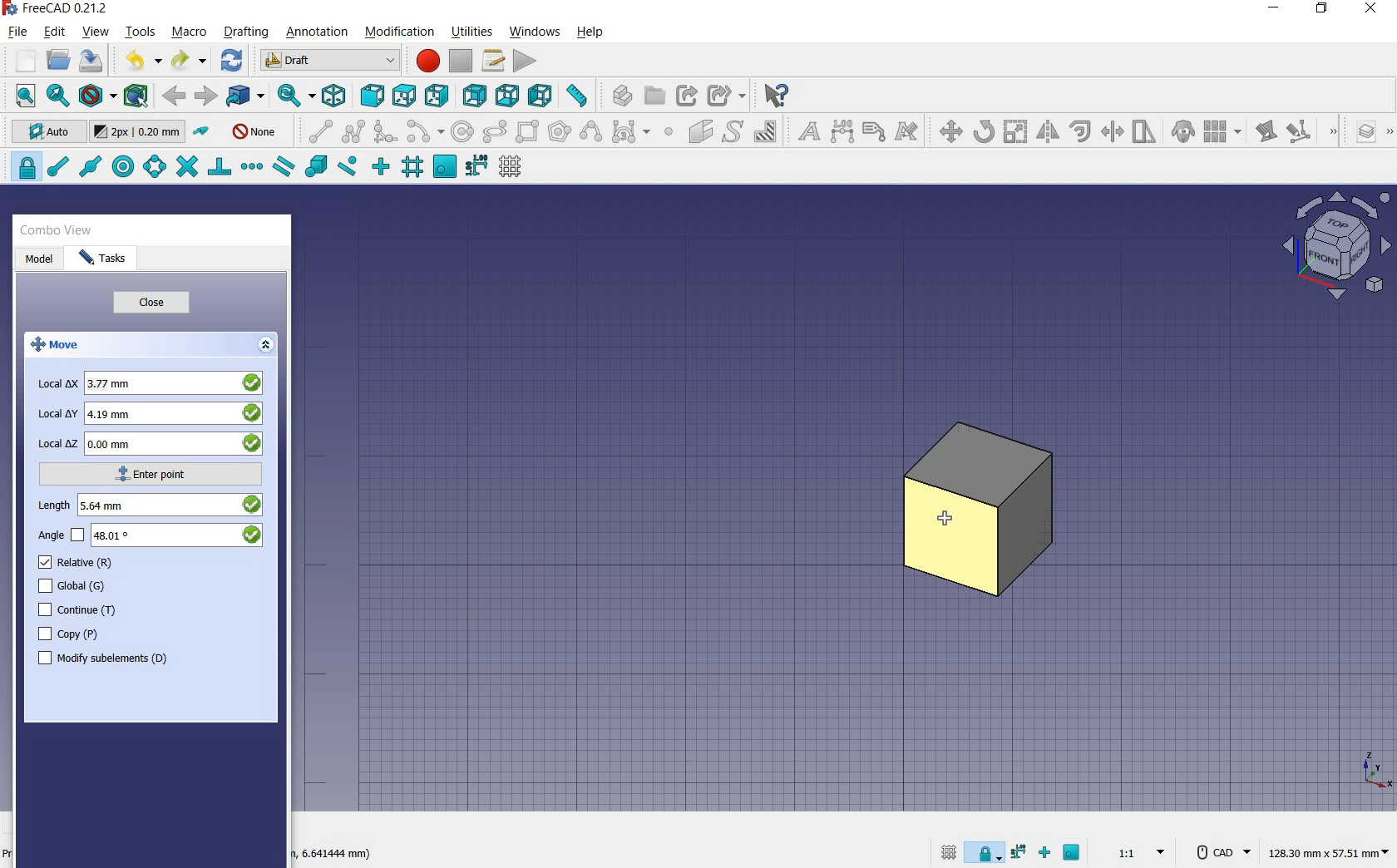  What do you see at coordinates (334, 96) in the screenshot?
I see `isometric` at bounding box center [334, 96].